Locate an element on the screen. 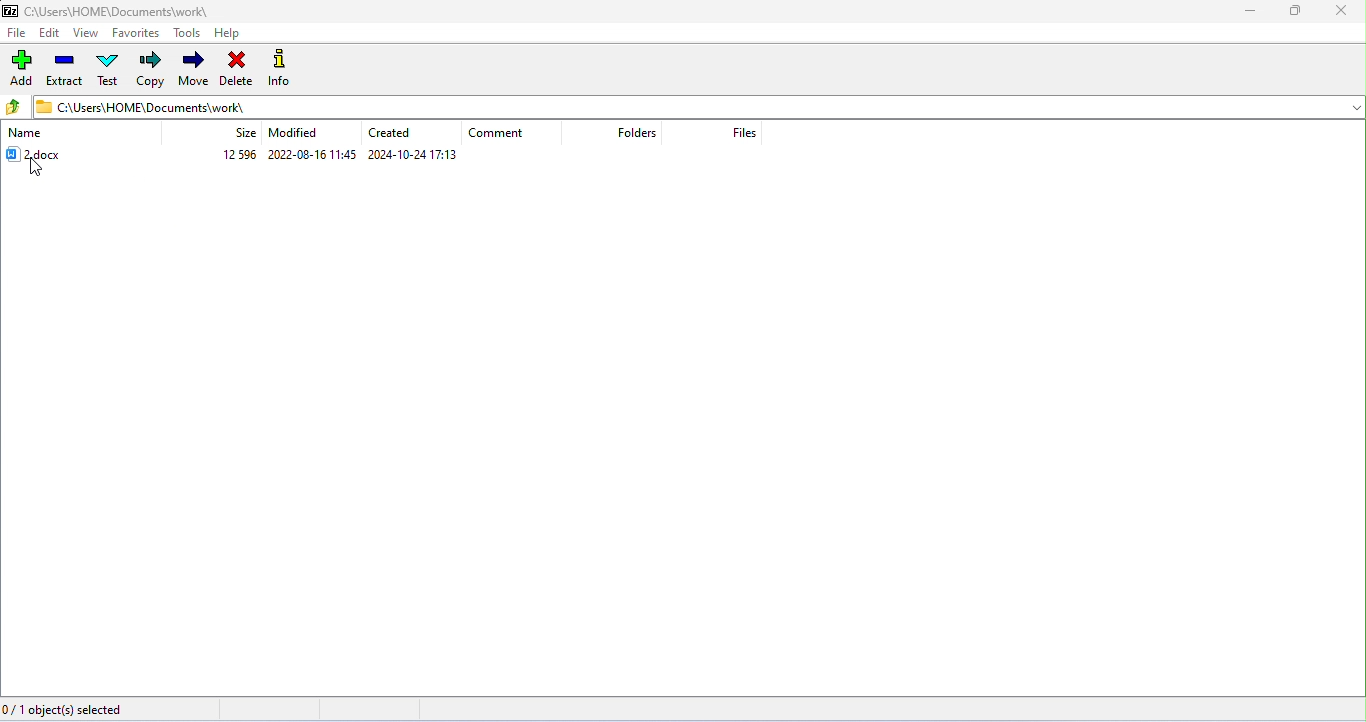 The image size is (1366, 722). extract is located at coordinates (65, 69).